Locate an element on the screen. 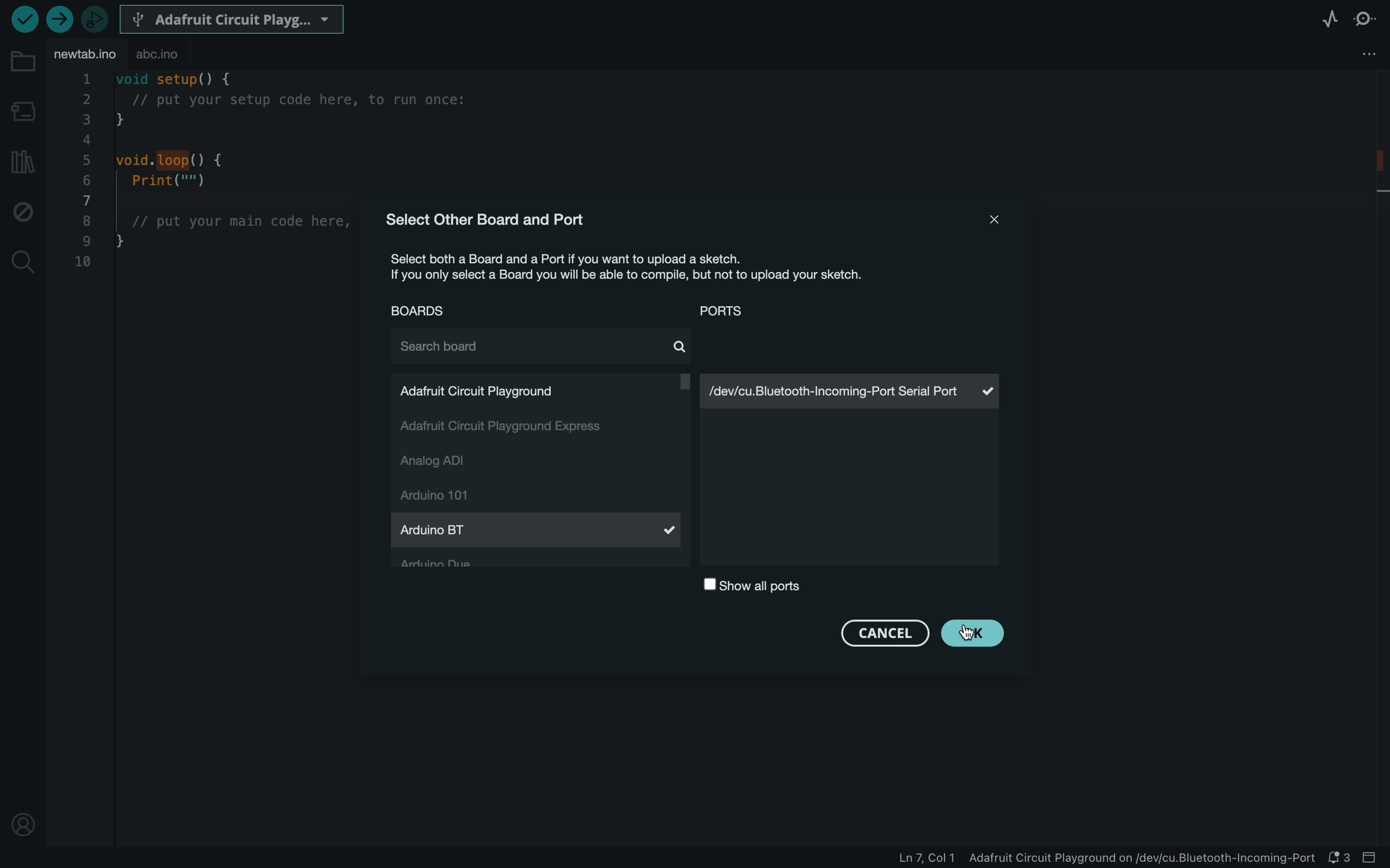 This screenshot has width=1390, height=868. analog adi is located at coordinates (469, 461).